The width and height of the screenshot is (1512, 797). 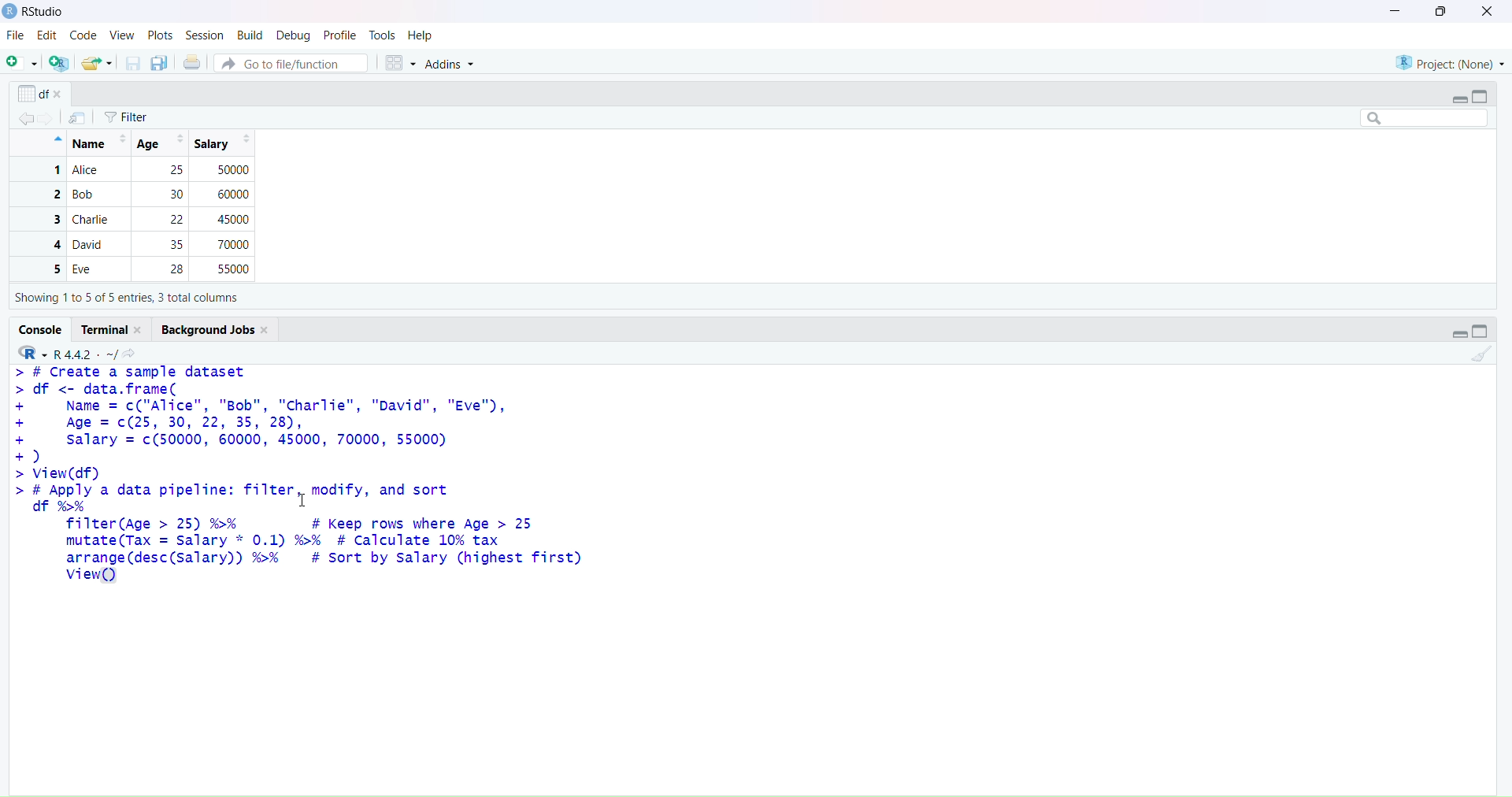 I want to click on edit, so click(x=50, y=35).